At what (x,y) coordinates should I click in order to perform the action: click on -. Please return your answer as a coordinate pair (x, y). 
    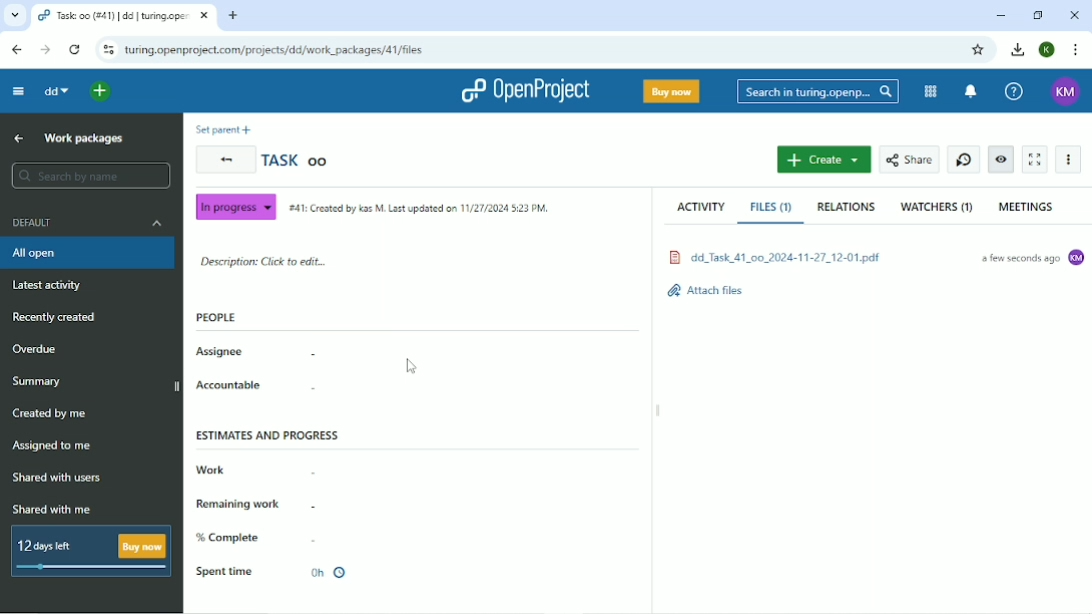
    Looking at the image, I should click on (330, 391).